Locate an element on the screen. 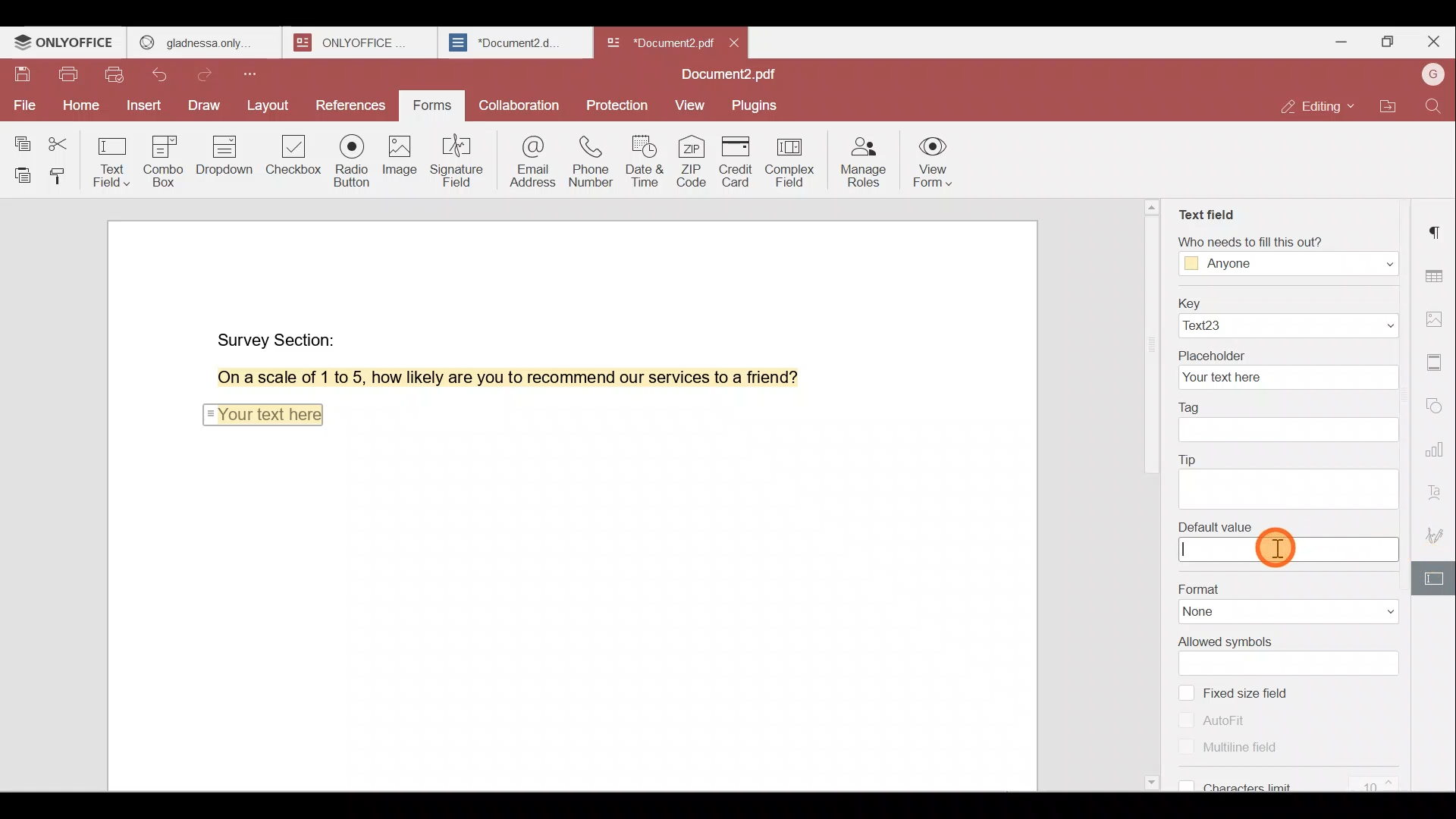 This screenshot has height=819, width=1456. Open file location is located at coordinates (1389, 108).